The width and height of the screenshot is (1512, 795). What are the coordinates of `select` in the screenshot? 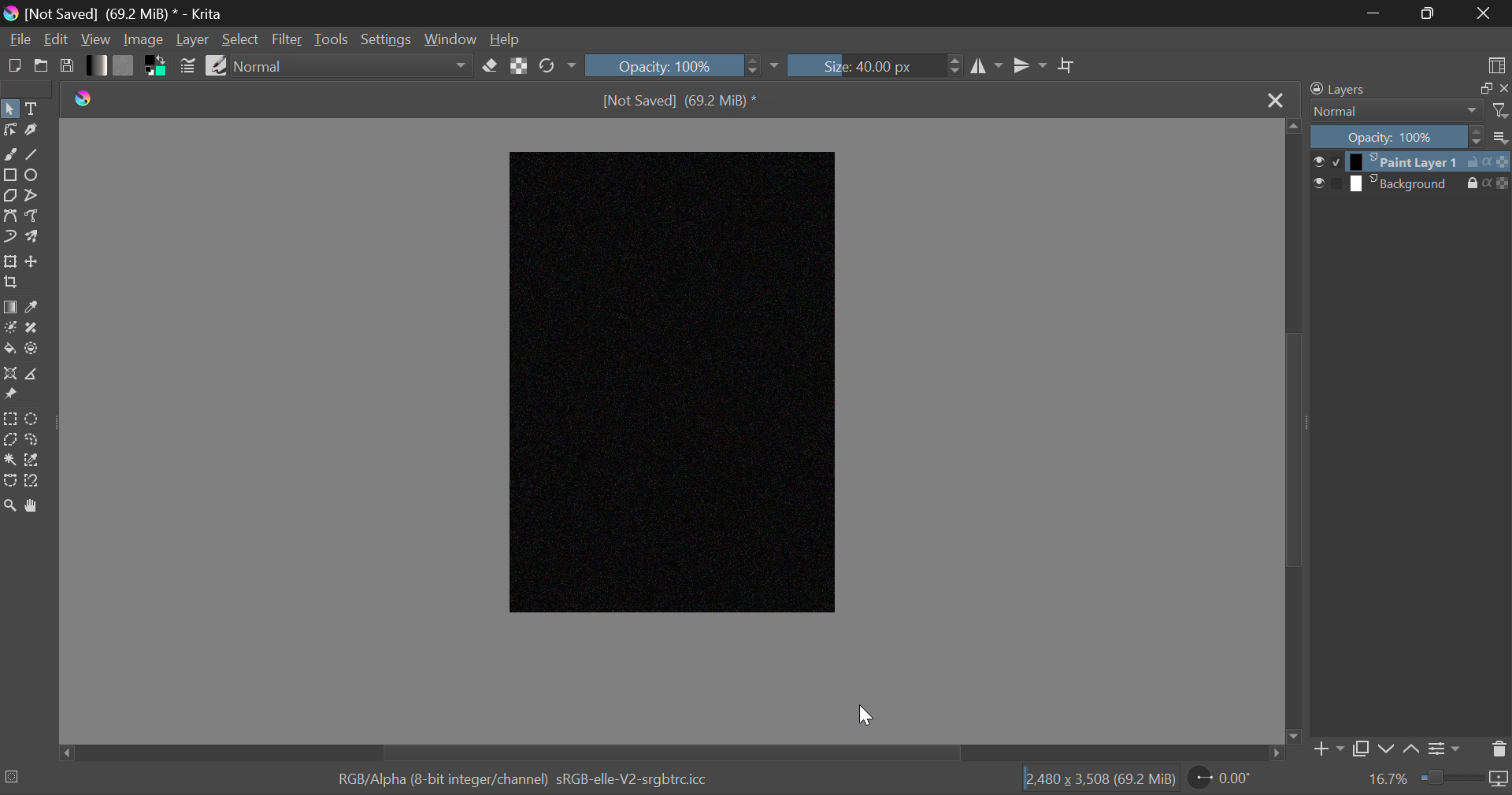 It's located at (1316, 160).